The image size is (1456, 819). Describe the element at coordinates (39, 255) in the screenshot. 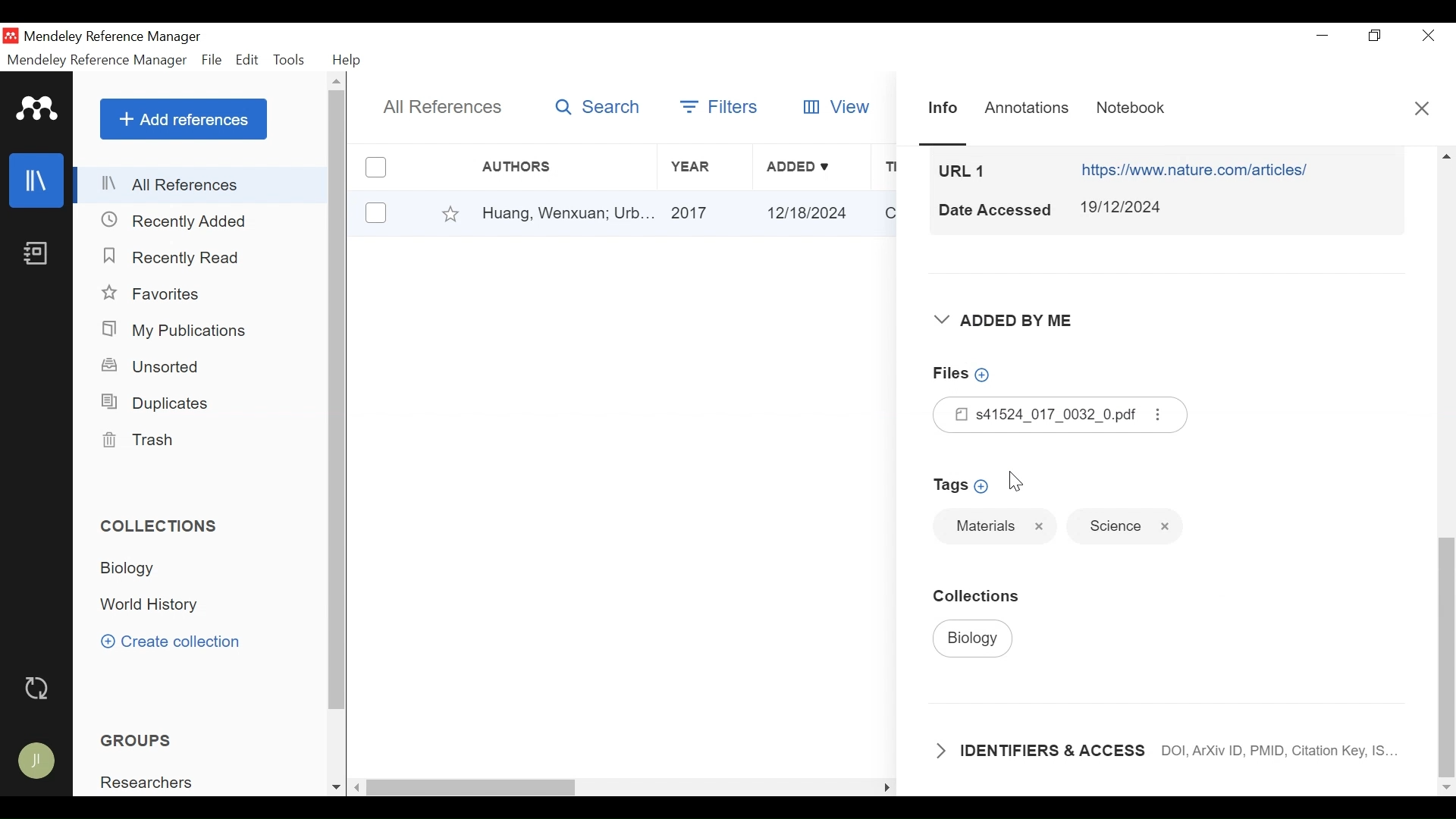

I see `Notebook` at that location.